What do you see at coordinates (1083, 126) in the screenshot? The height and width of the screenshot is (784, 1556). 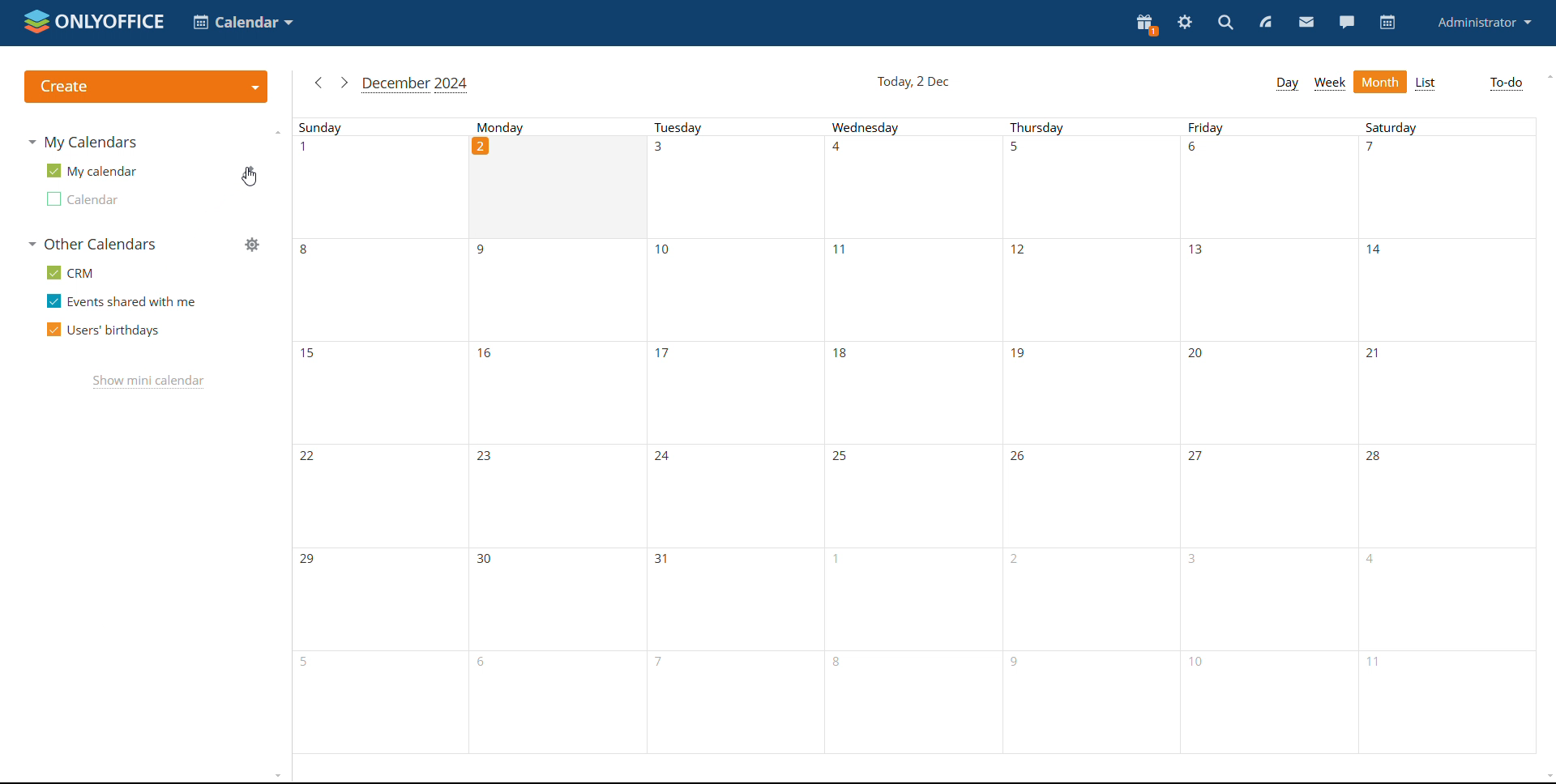 I see `thursday` at bounding box center [1083, 126].